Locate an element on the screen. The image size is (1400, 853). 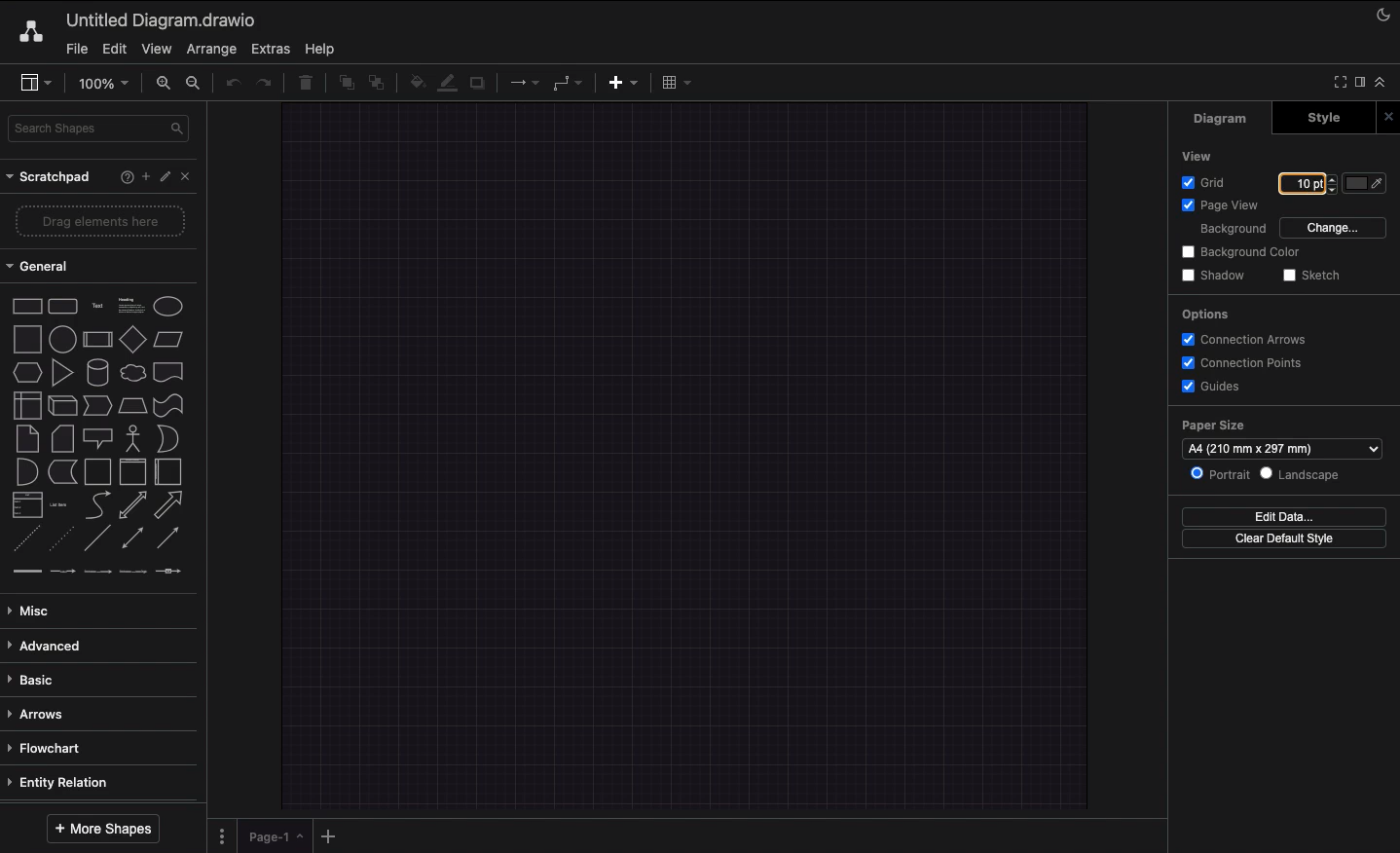
Shapes is located at coordinates (100, 434).